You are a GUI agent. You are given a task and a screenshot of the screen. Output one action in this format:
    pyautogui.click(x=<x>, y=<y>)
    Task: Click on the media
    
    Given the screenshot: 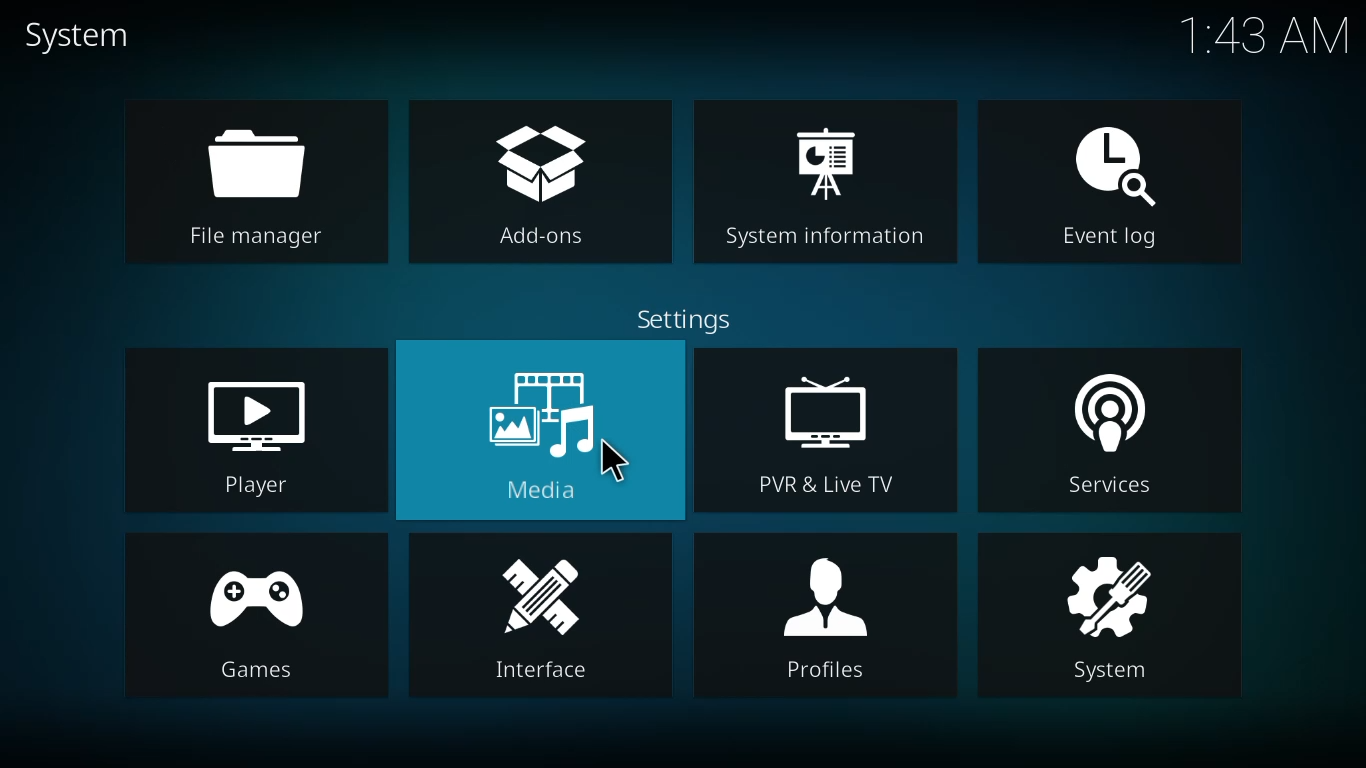 What is the action you would take?
    pyautogui.click(x=540, y=430)
    